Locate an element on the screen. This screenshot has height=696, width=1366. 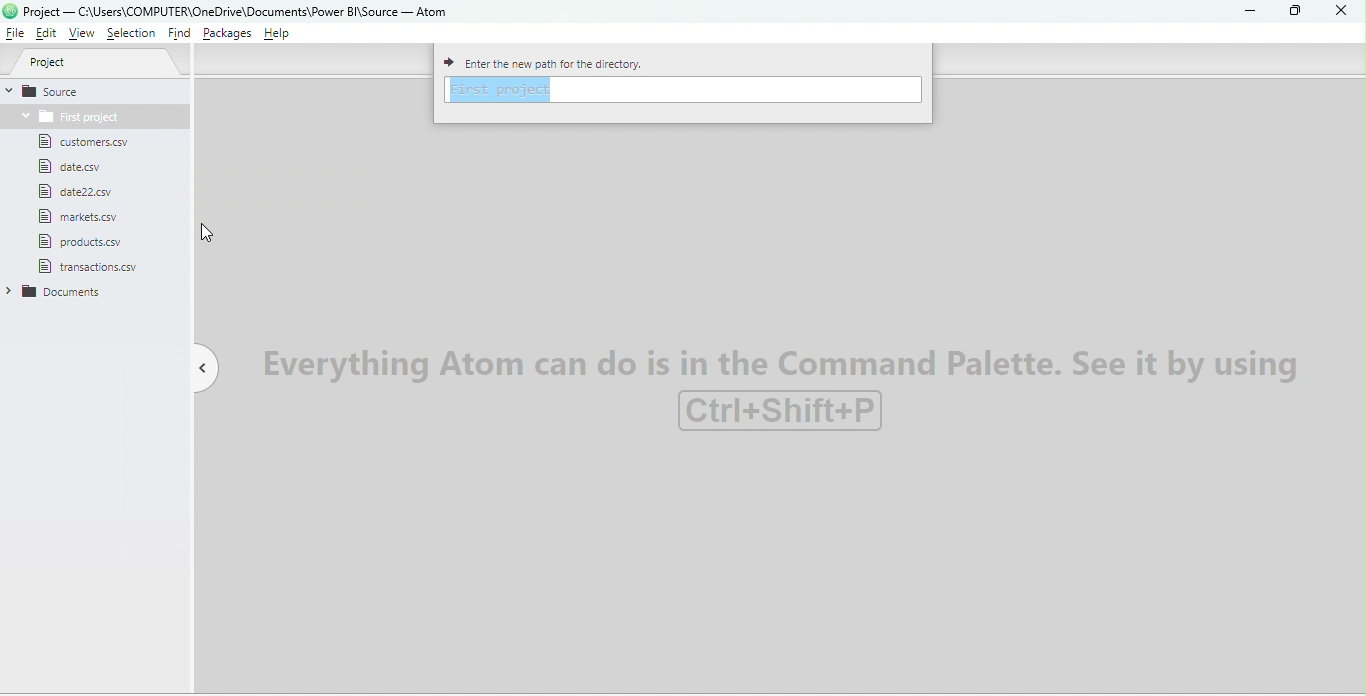
Folder is located at coordinates (61, 293).